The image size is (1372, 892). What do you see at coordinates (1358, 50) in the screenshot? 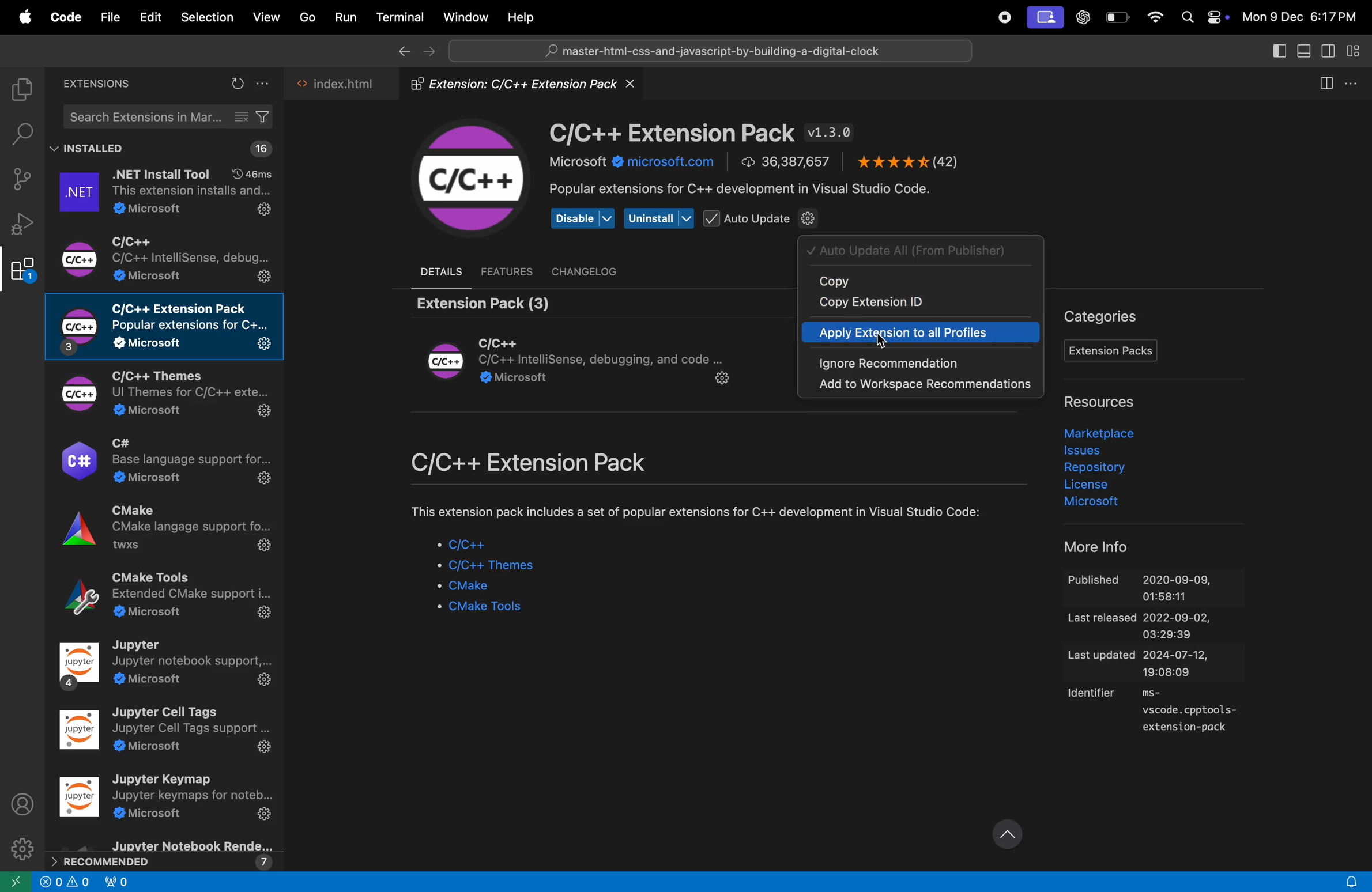
I see `customize layout` at bounding box center [1358, 50].